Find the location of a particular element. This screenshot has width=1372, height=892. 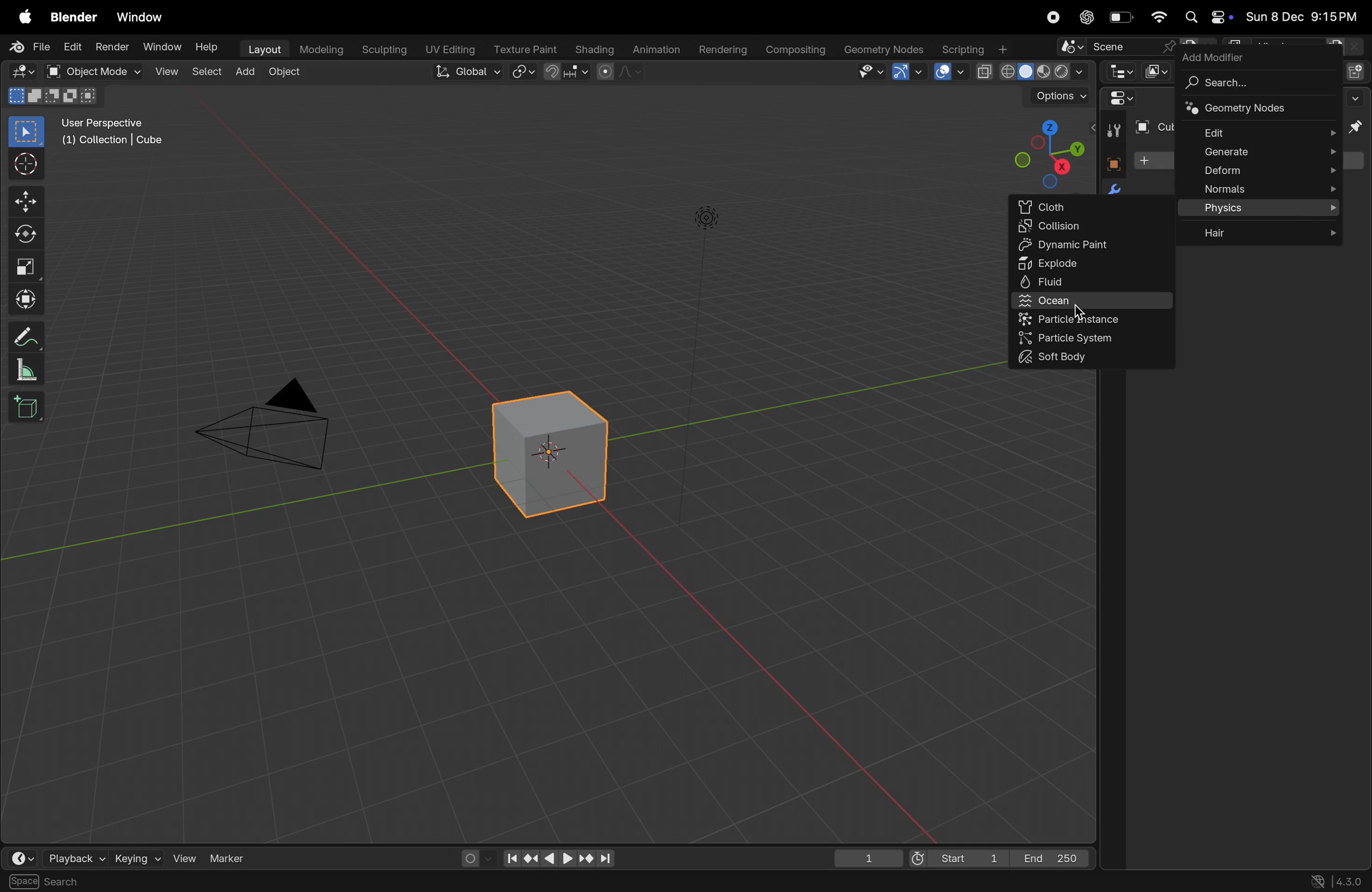

scale is located at coordinates (26, 267).